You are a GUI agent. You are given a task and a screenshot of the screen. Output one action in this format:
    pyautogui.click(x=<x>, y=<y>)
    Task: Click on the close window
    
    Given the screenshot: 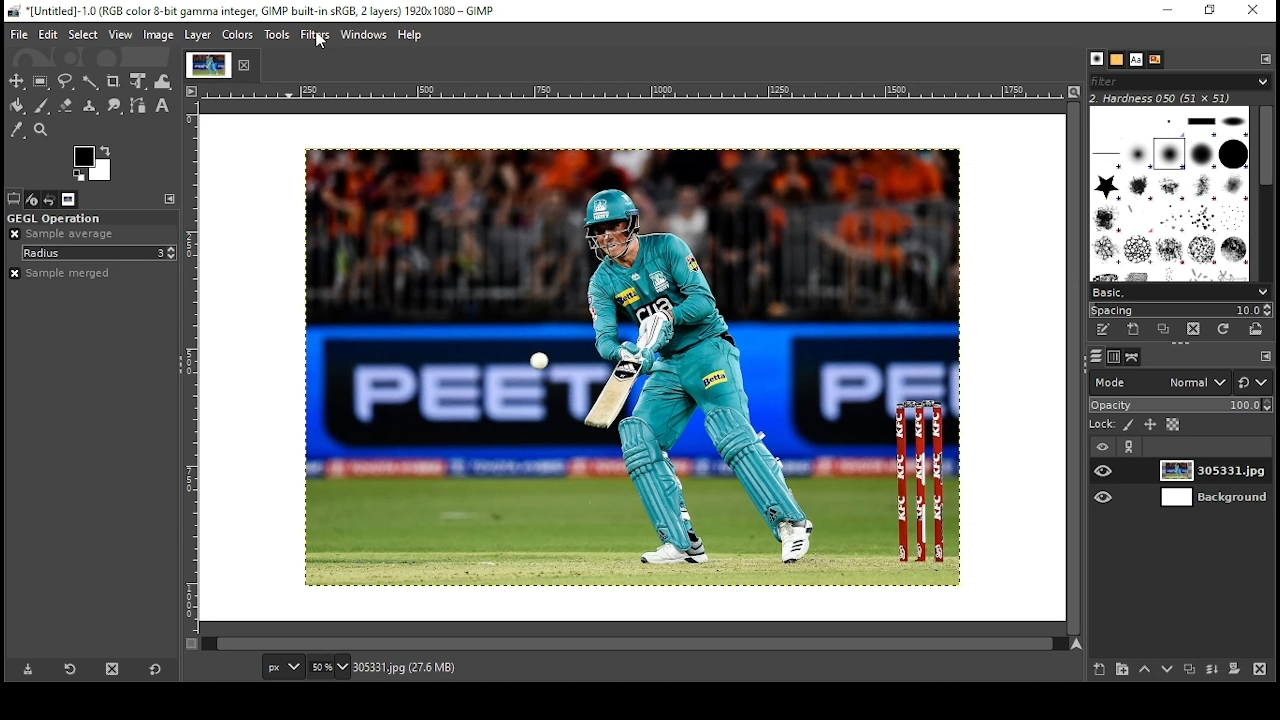 What is the action you would take?
    pyautogui.click(x=1252, y=10)
    